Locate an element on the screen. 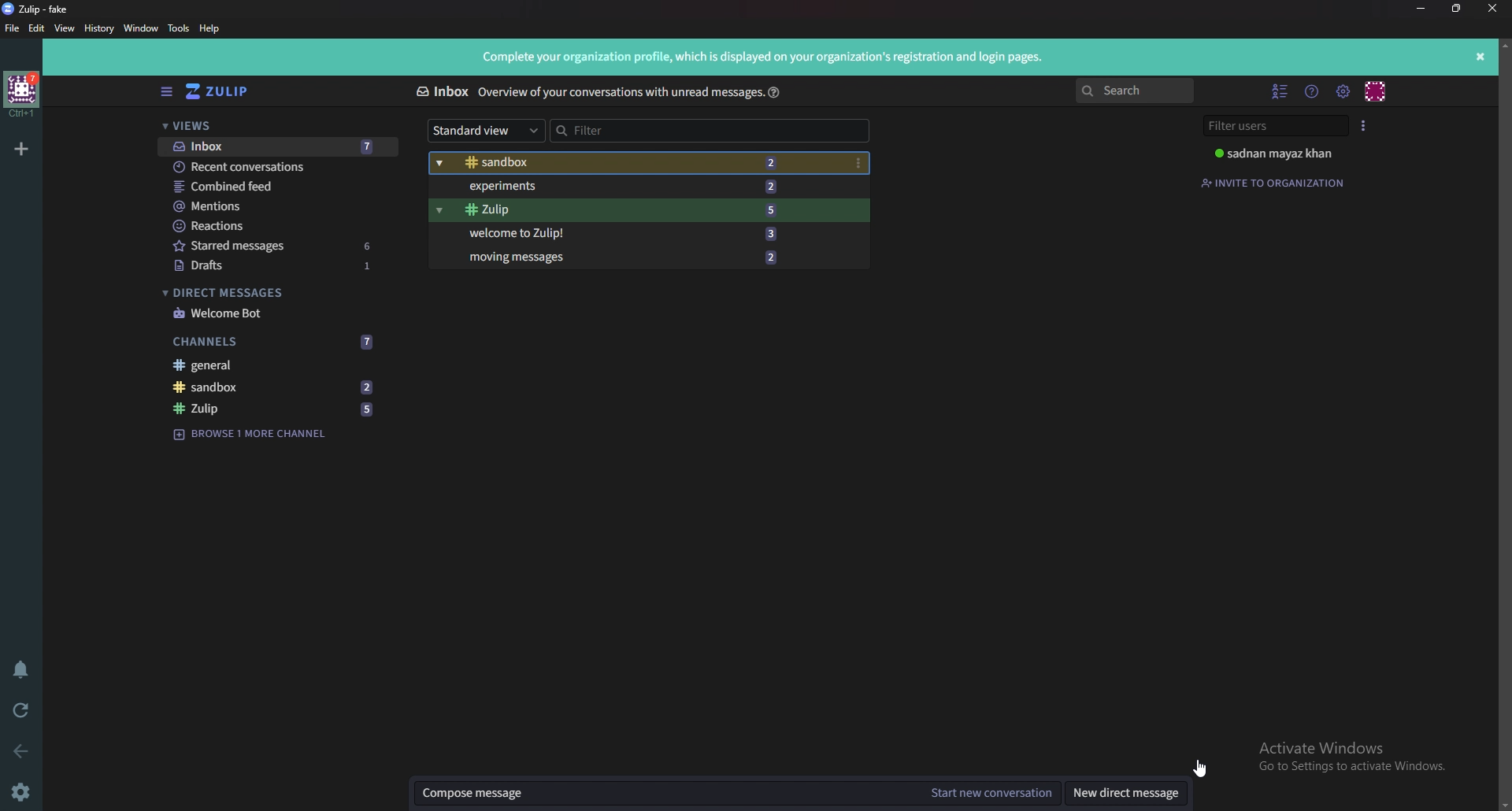 This screenshot has height=811, width=1512. Standard view is located at coordinates (481, 132).